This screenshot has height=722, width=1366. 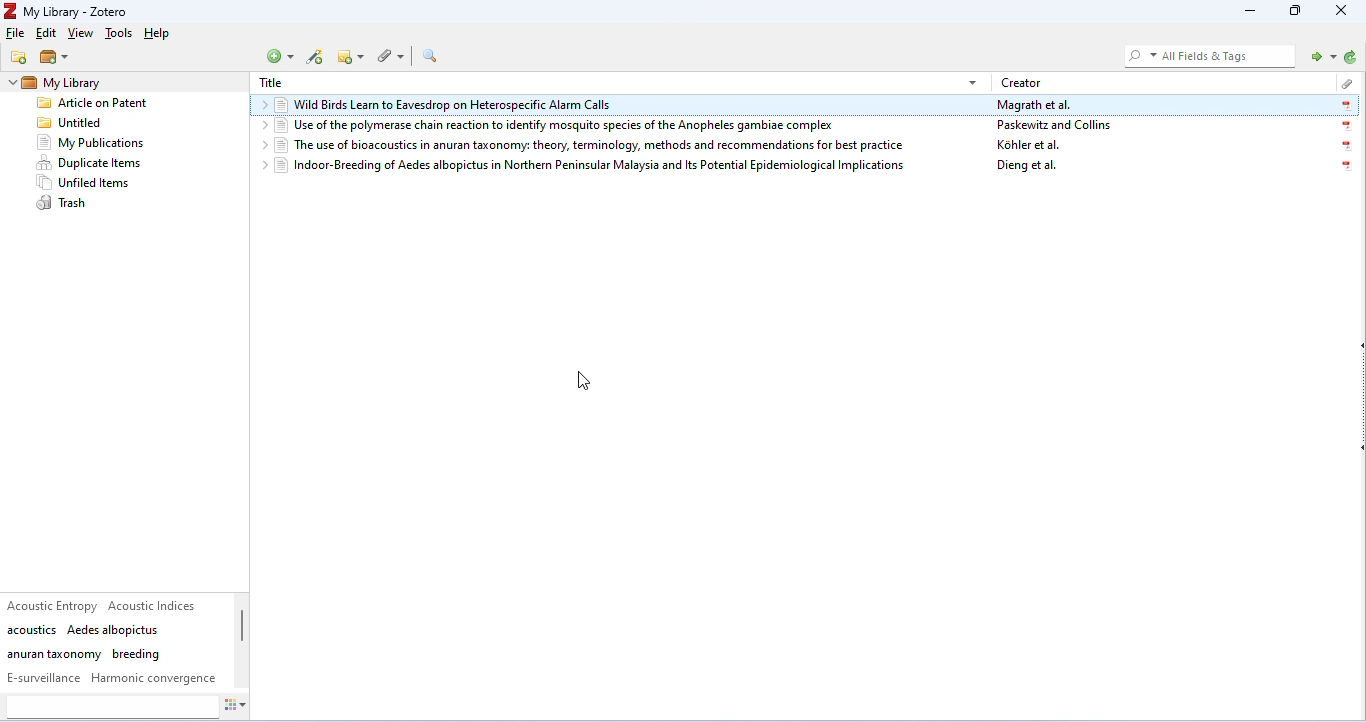 I want to click on type tags, so click(x=111, y=707).